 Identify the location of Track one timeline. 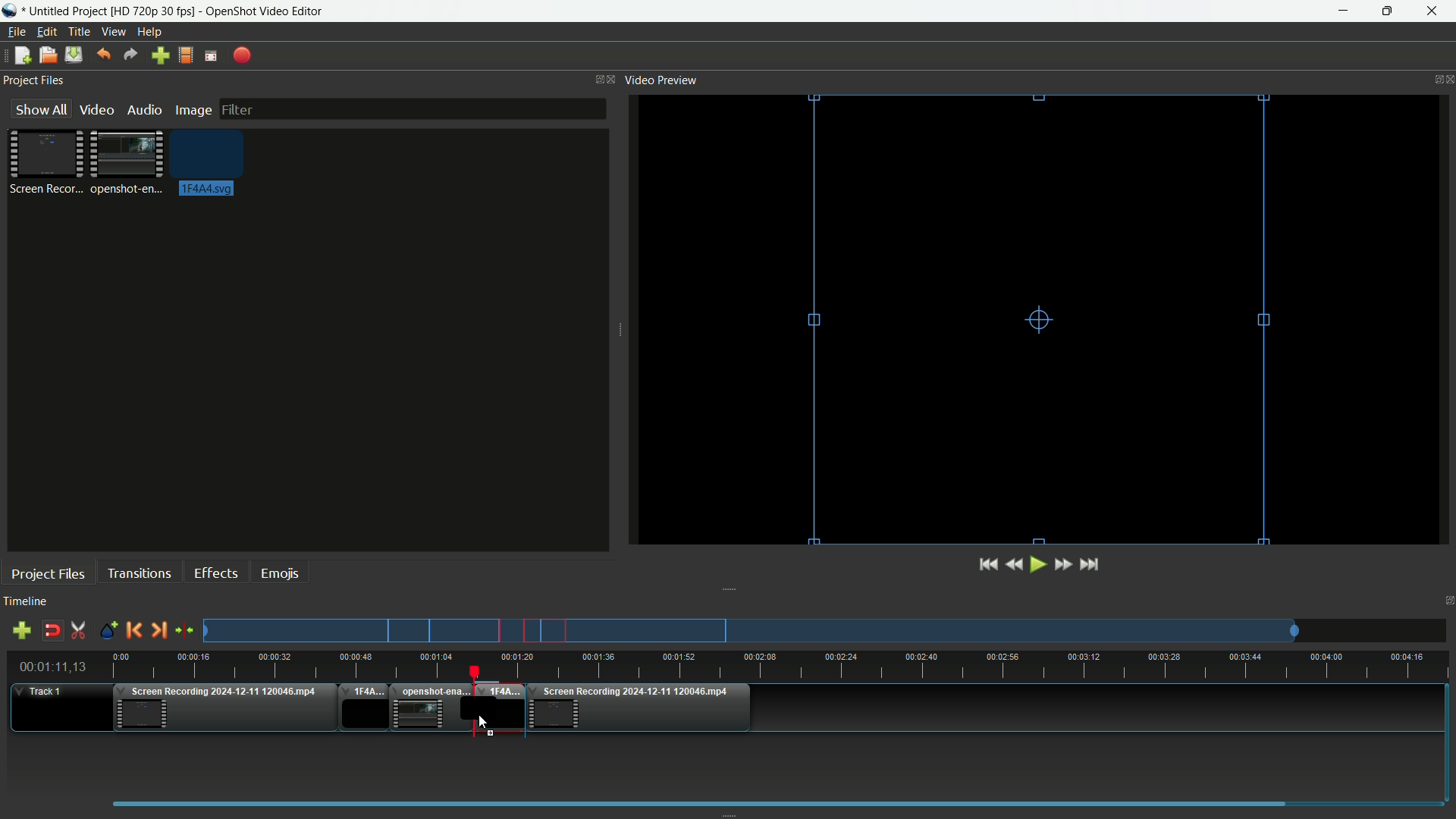
(42, 692).